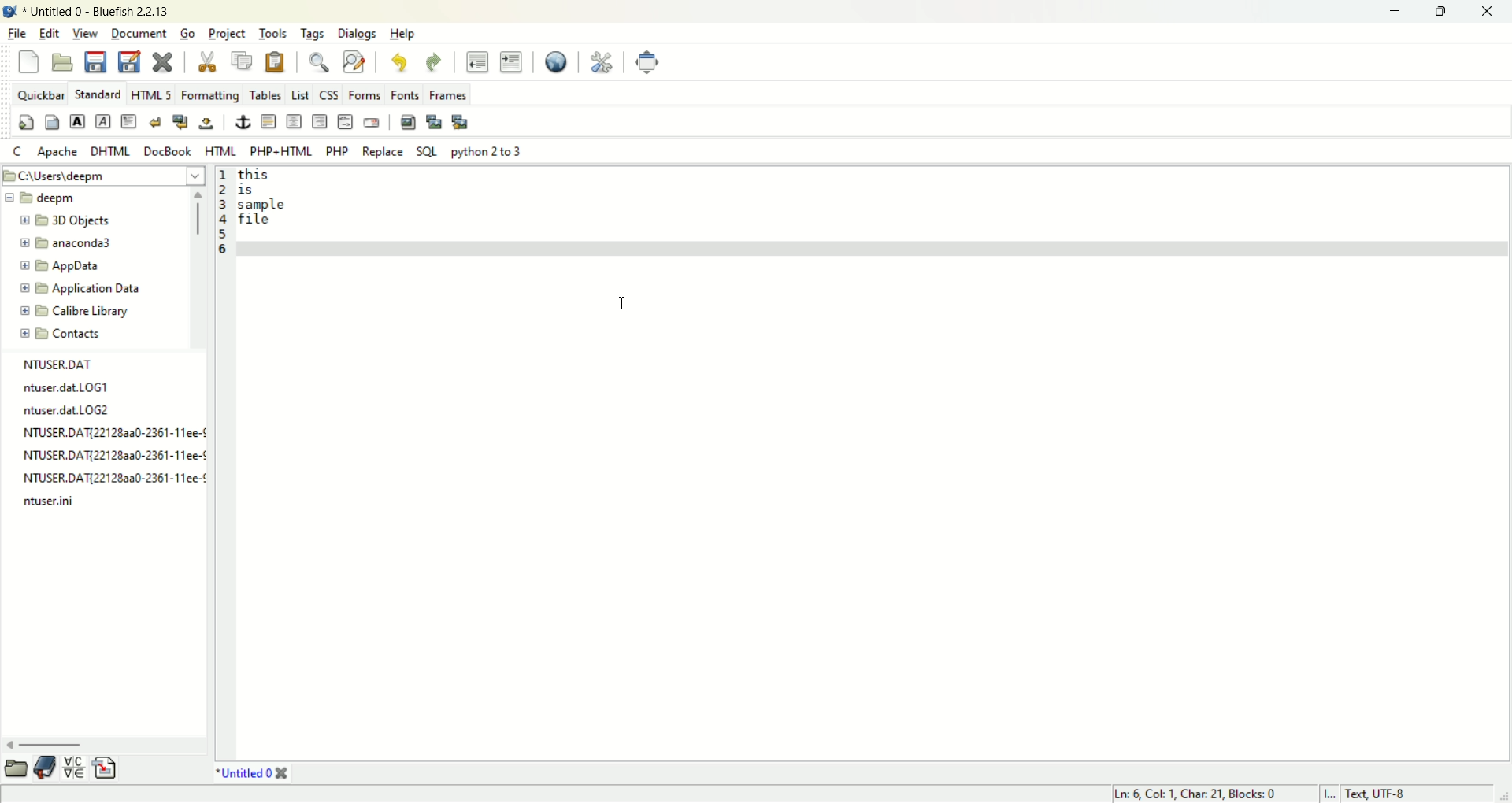 This screenshot has height=803, width=1512. What do you see at coordinates (60, 333) in the screenshot?
I see `contacts` at bounding box center [60, 333].